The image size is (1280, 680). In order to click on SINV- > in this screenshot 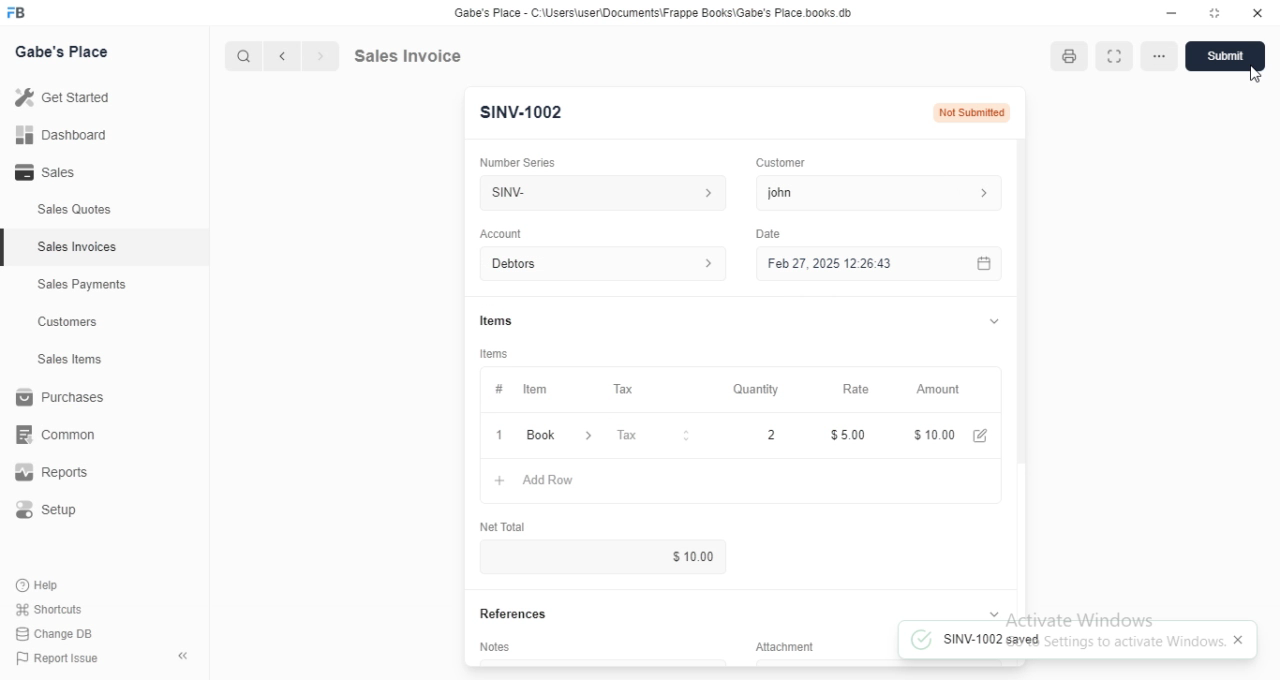, I will do `click(597, 193)`.